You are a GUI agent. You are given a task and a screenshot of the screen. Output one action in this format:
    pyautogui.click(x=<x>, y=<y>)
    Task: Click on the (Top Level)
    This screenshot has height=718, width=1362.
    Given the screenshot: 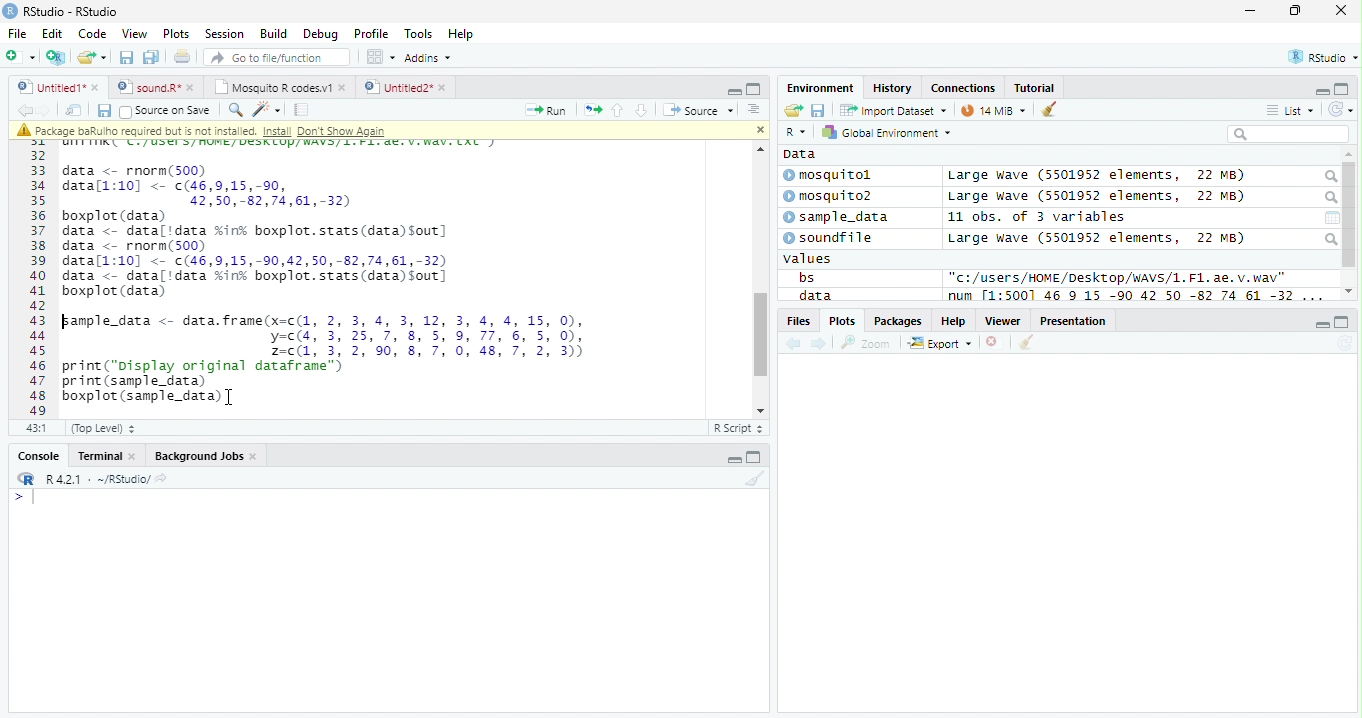 What is the action you would take?
    pyautogui.click(x=103, y=429)
    